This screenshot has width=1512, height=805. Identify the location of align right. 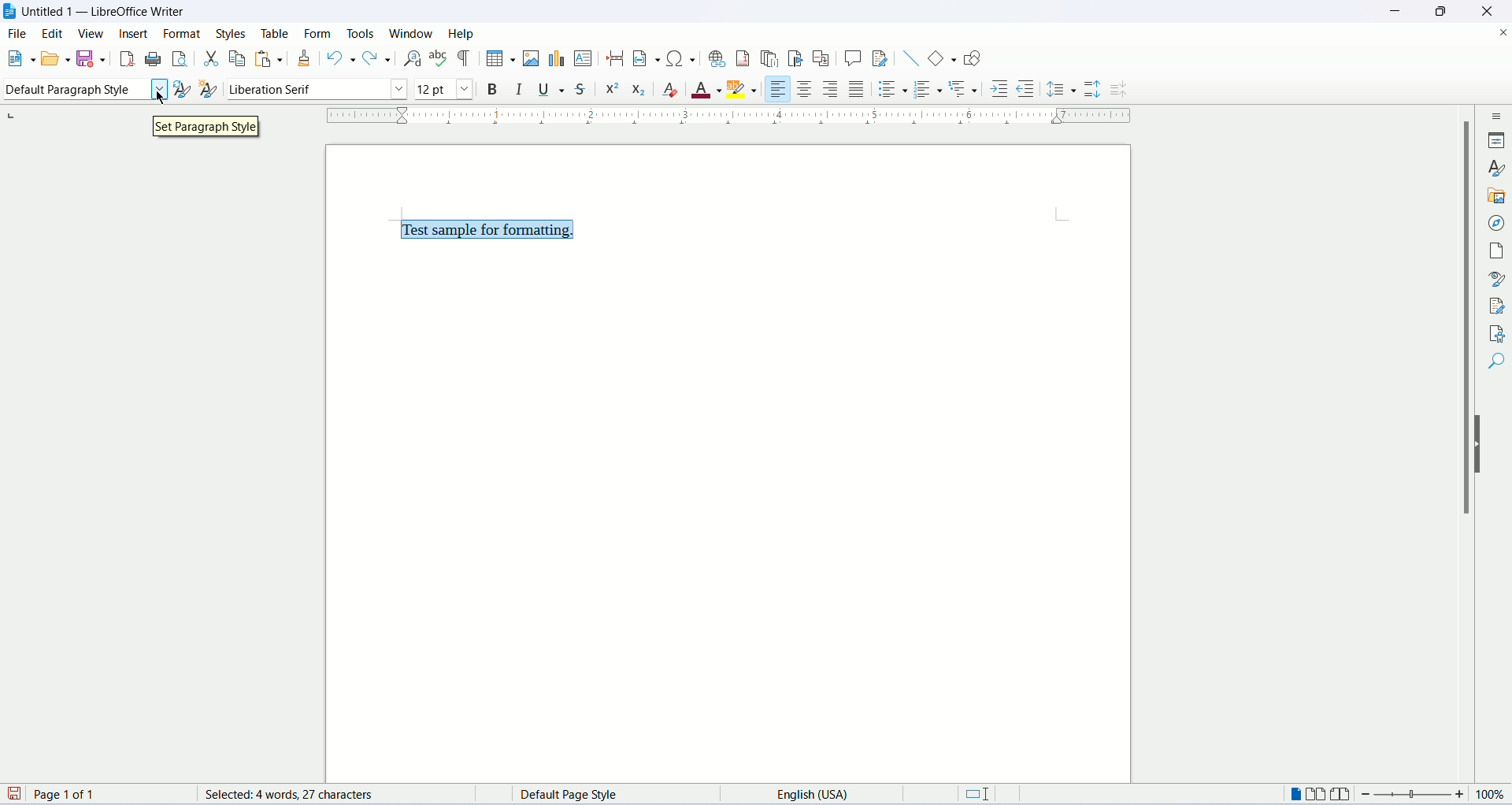
(832, 88).